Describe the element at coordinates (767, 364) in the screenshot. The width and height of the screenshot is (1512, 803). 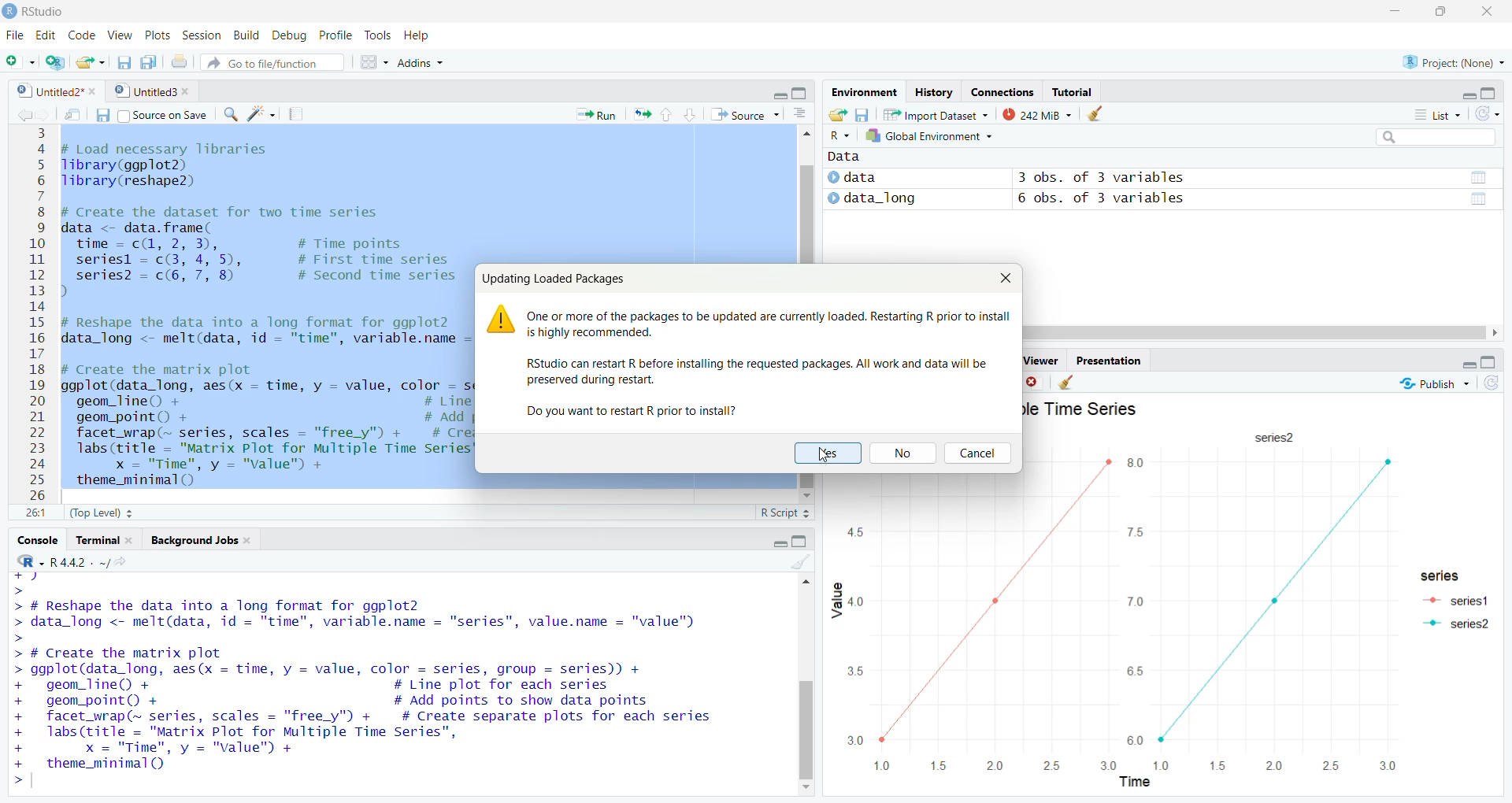
I see `One or more of the packages to be updated are currently loaded. Restarting R prior to install
is highly recommended.

RStudio can restart R before installing the requested packages. All work and data will be
preserved during restart.

Do you want to restart R prior to install?` at that location.